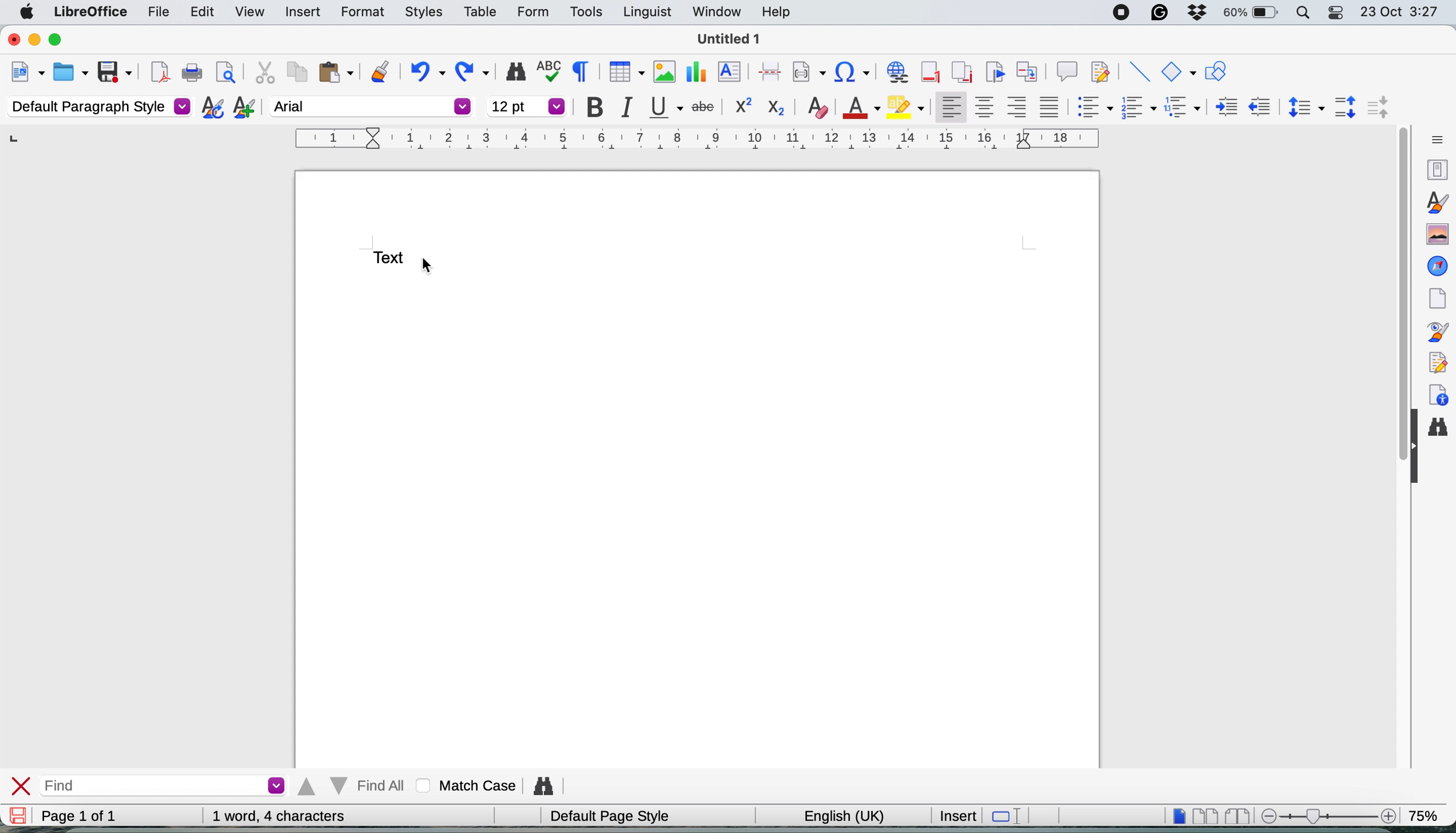  I want to click on superscrpit, so click(744, 107).